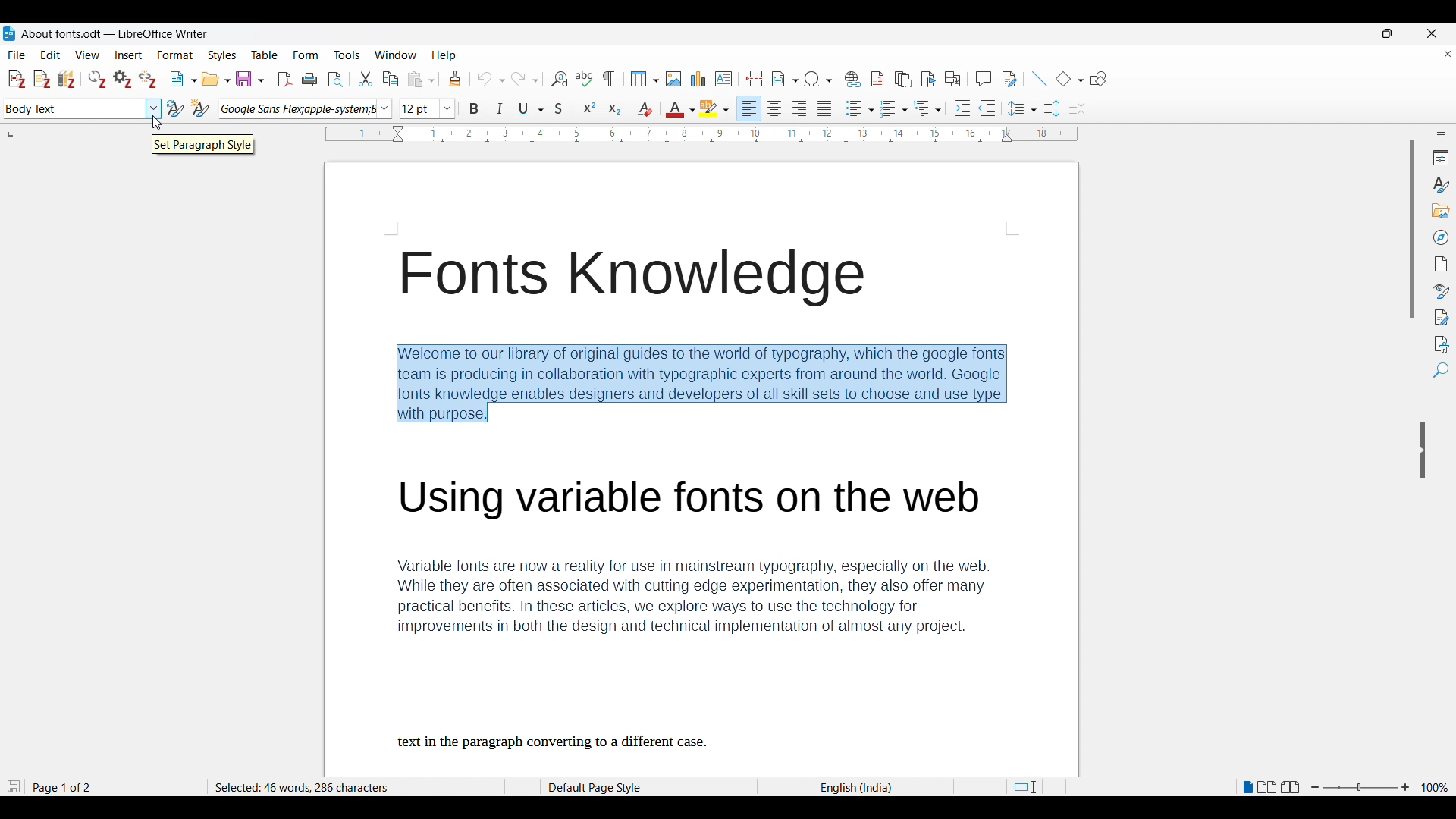 The image size is (1456, 819). What do you see at coordinates (673, 79) in the screenshot?
I see `Insert image` at bounding box center [673, 79].